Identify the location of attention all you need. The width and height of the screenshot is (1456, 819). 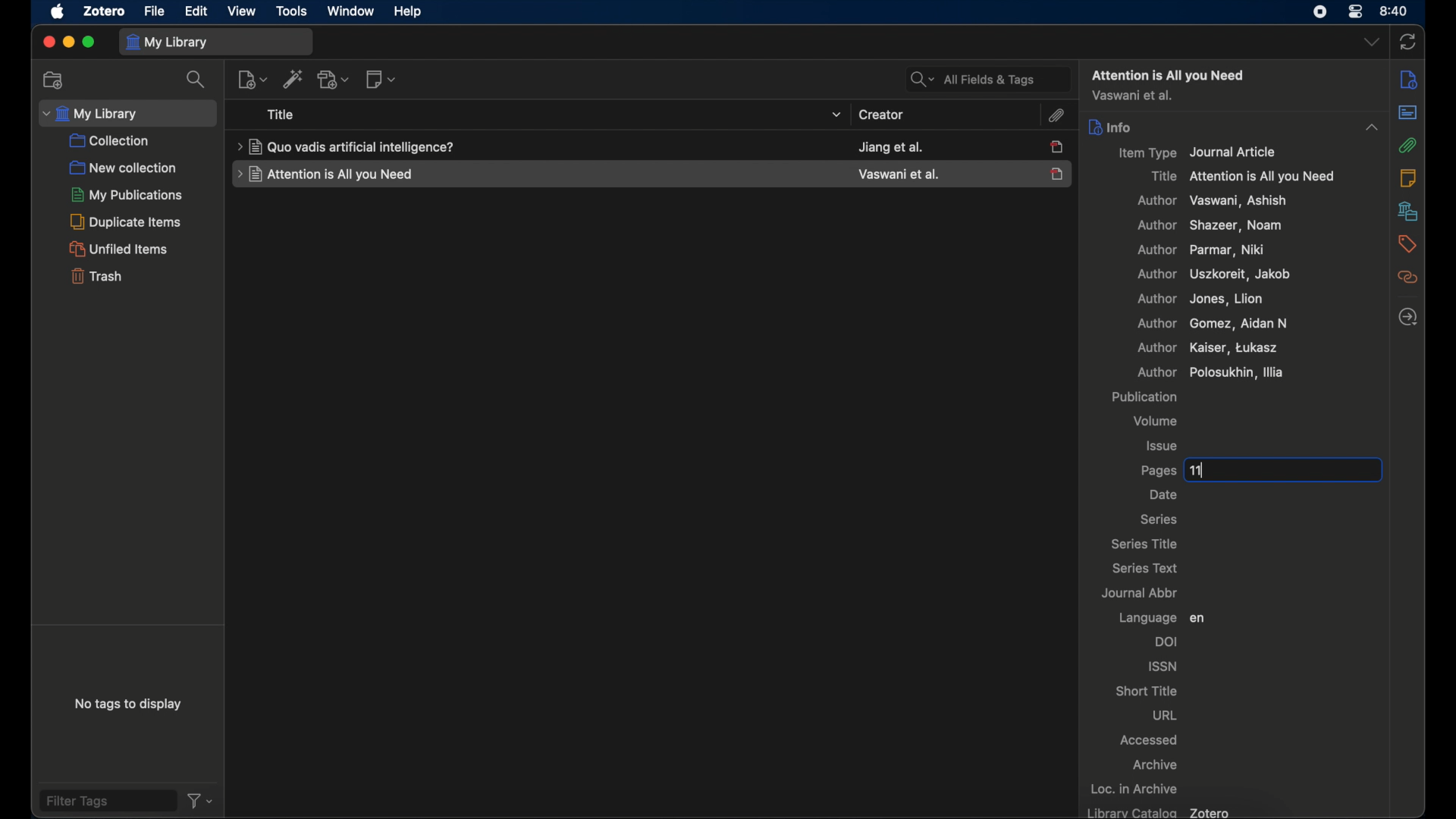
(1169, 74).